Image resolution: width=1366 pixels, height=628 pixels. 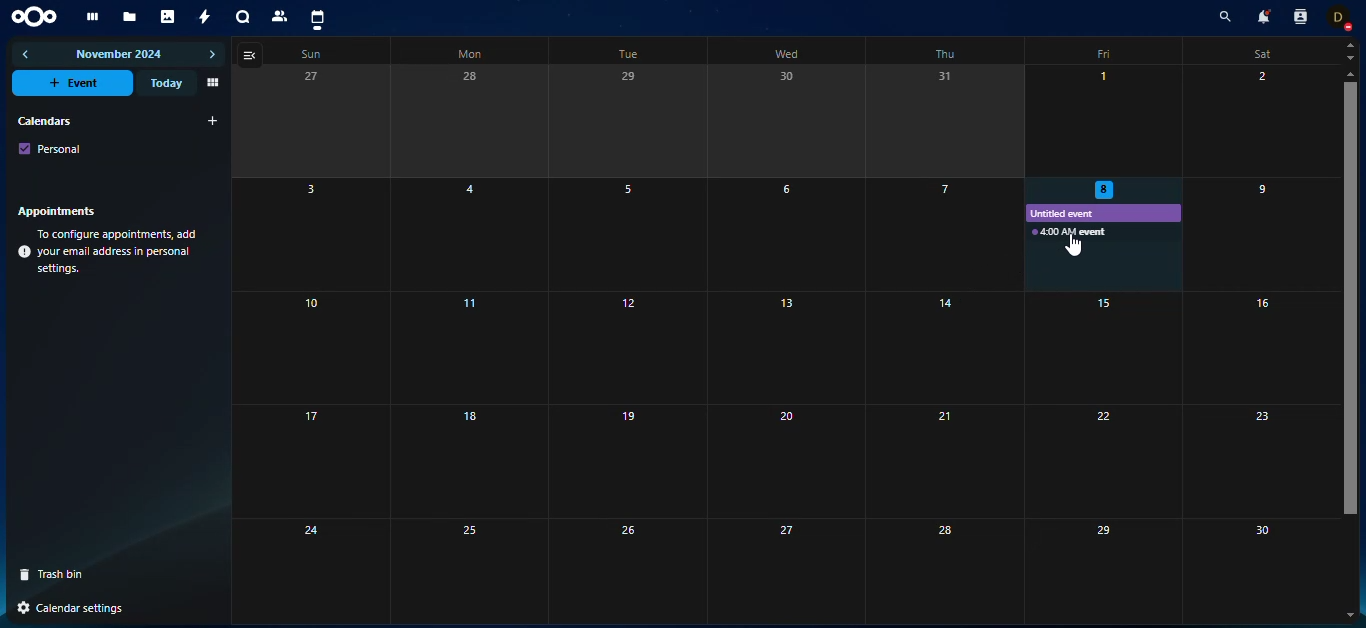 I want to click on contact, so click(x=1299, y=17).